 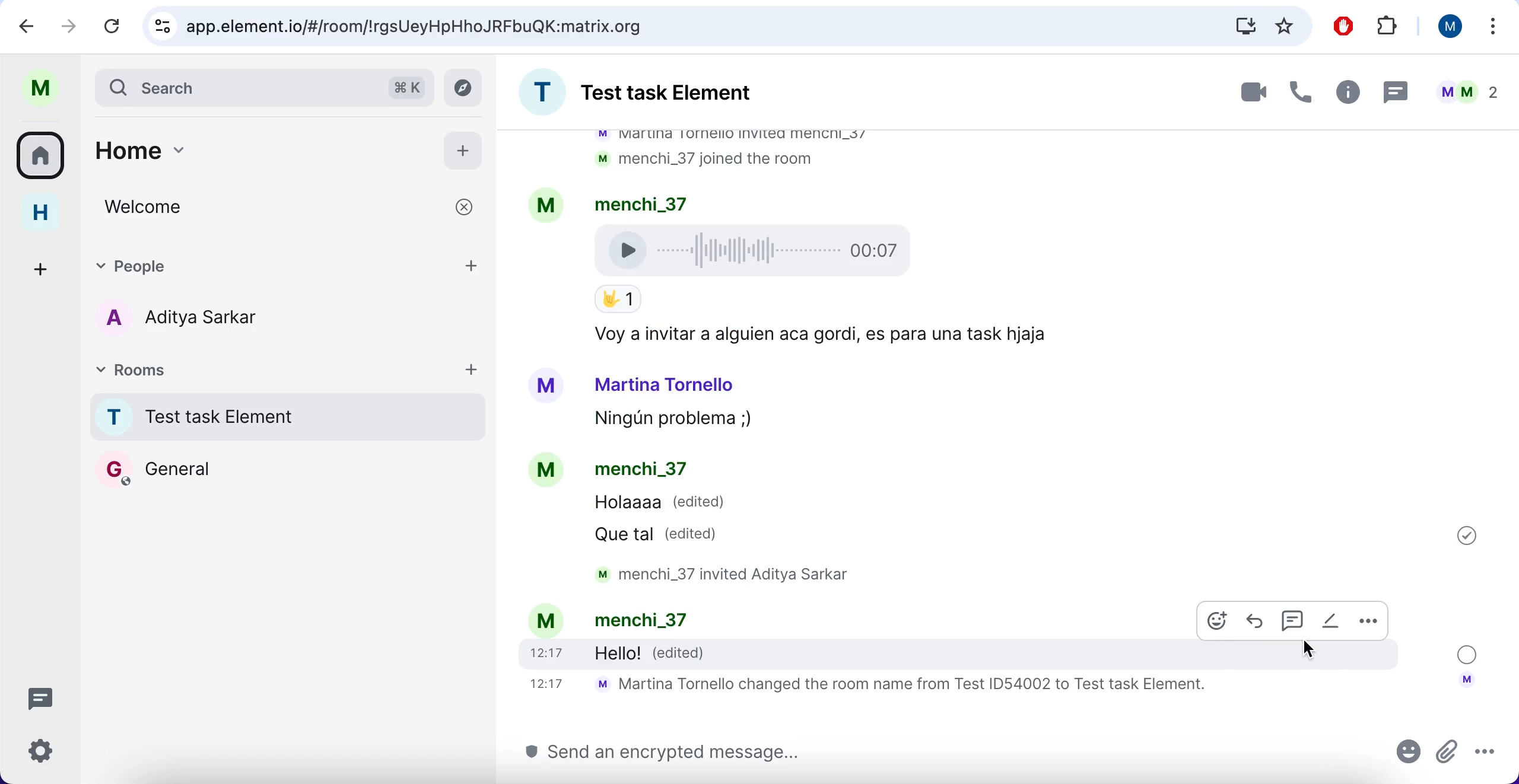 I want to click on room chat, so click(x=660, y=95).